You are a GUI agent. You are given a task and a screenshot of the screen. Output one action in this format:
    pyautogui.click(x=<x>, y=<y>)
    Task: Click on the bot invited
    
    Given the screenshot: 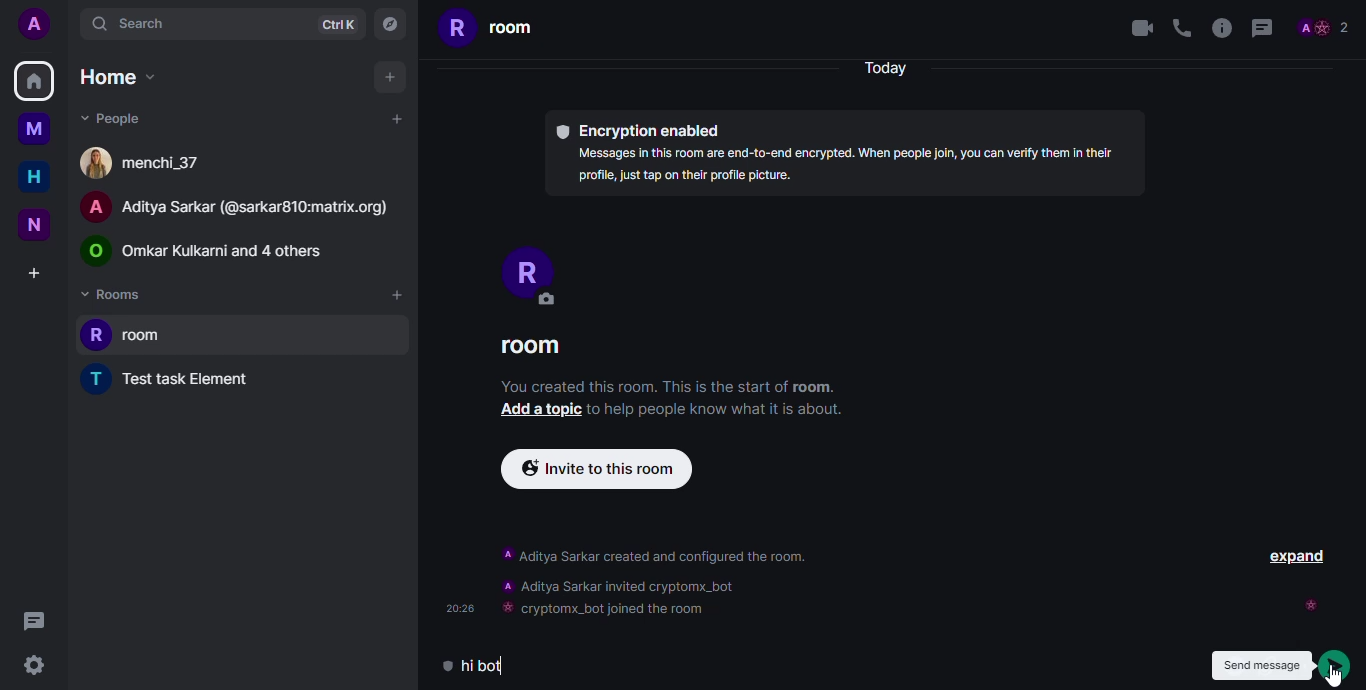 What is the action you would take?
    pyautogui.click(x=616, y=587)
    